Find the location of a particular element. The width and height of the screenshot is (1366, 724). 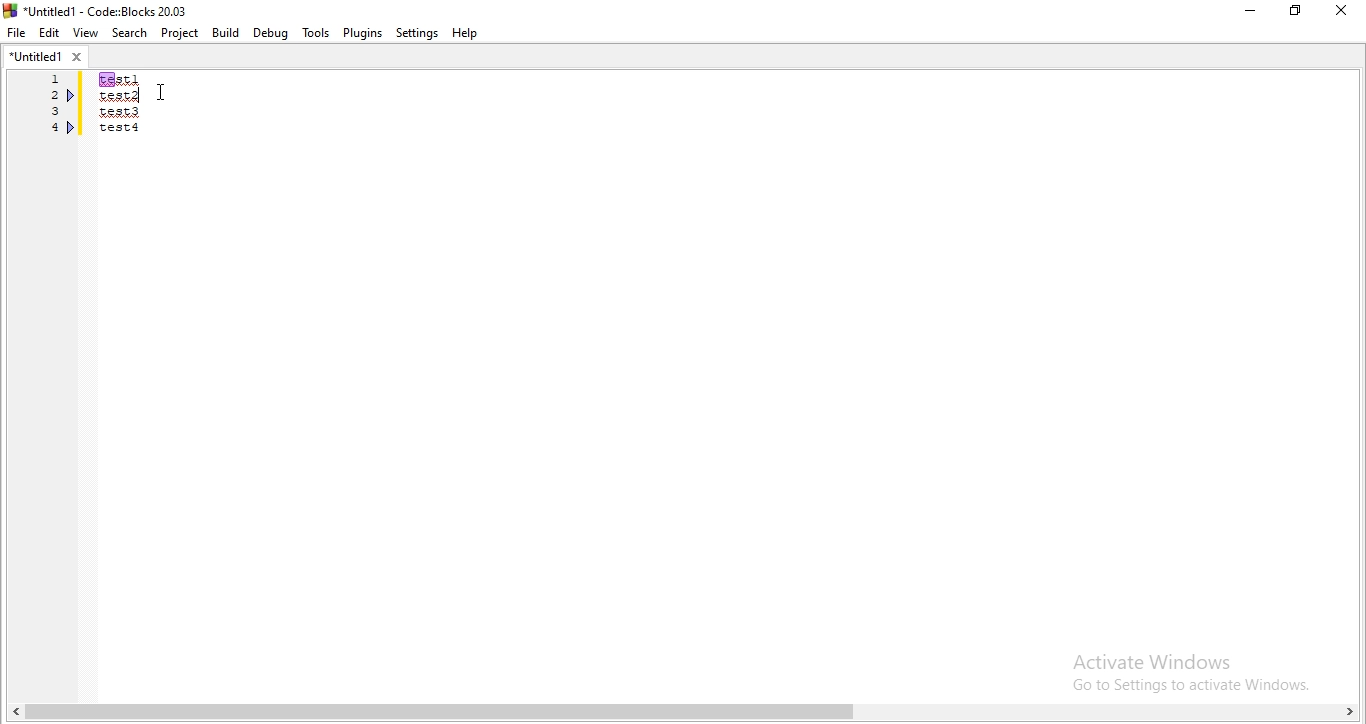

Tools  is located at coordinates (315, 33).